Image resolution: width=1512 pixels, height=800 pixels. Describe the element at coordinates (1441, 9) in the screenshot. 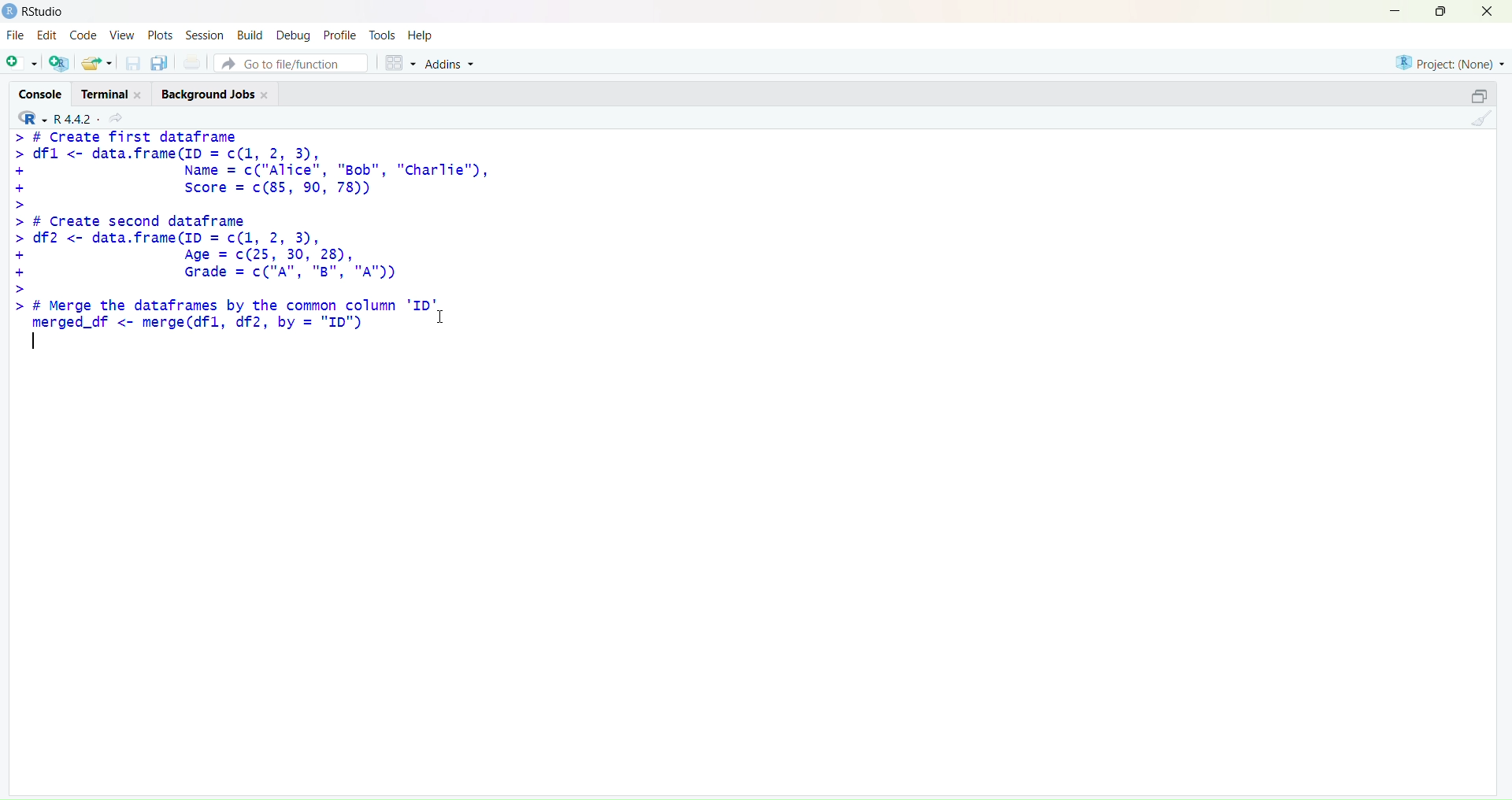

I see `maximize` at that location.